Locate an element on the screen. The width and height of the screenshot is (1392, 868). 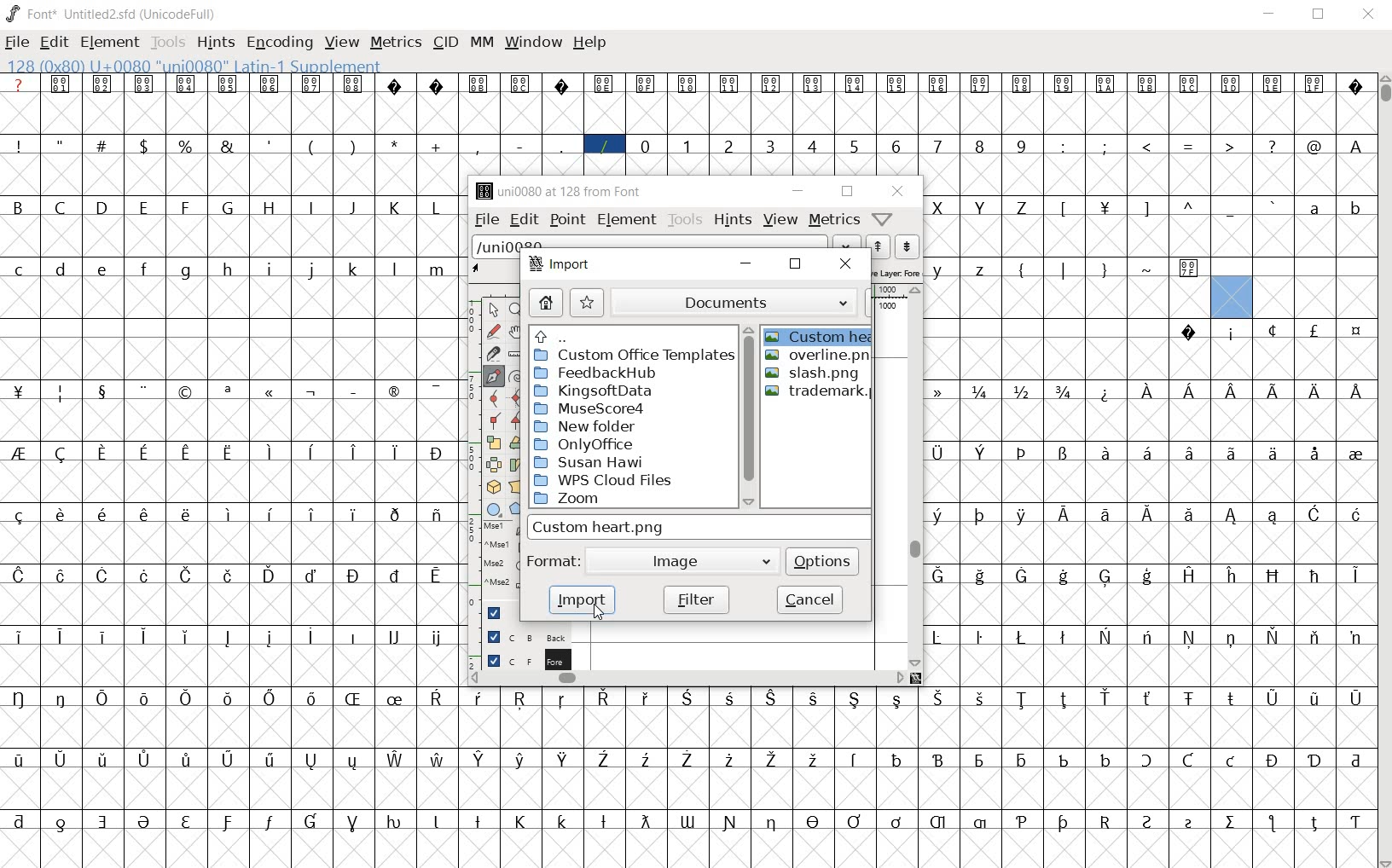
glyph is located at coordinates (352, 208).